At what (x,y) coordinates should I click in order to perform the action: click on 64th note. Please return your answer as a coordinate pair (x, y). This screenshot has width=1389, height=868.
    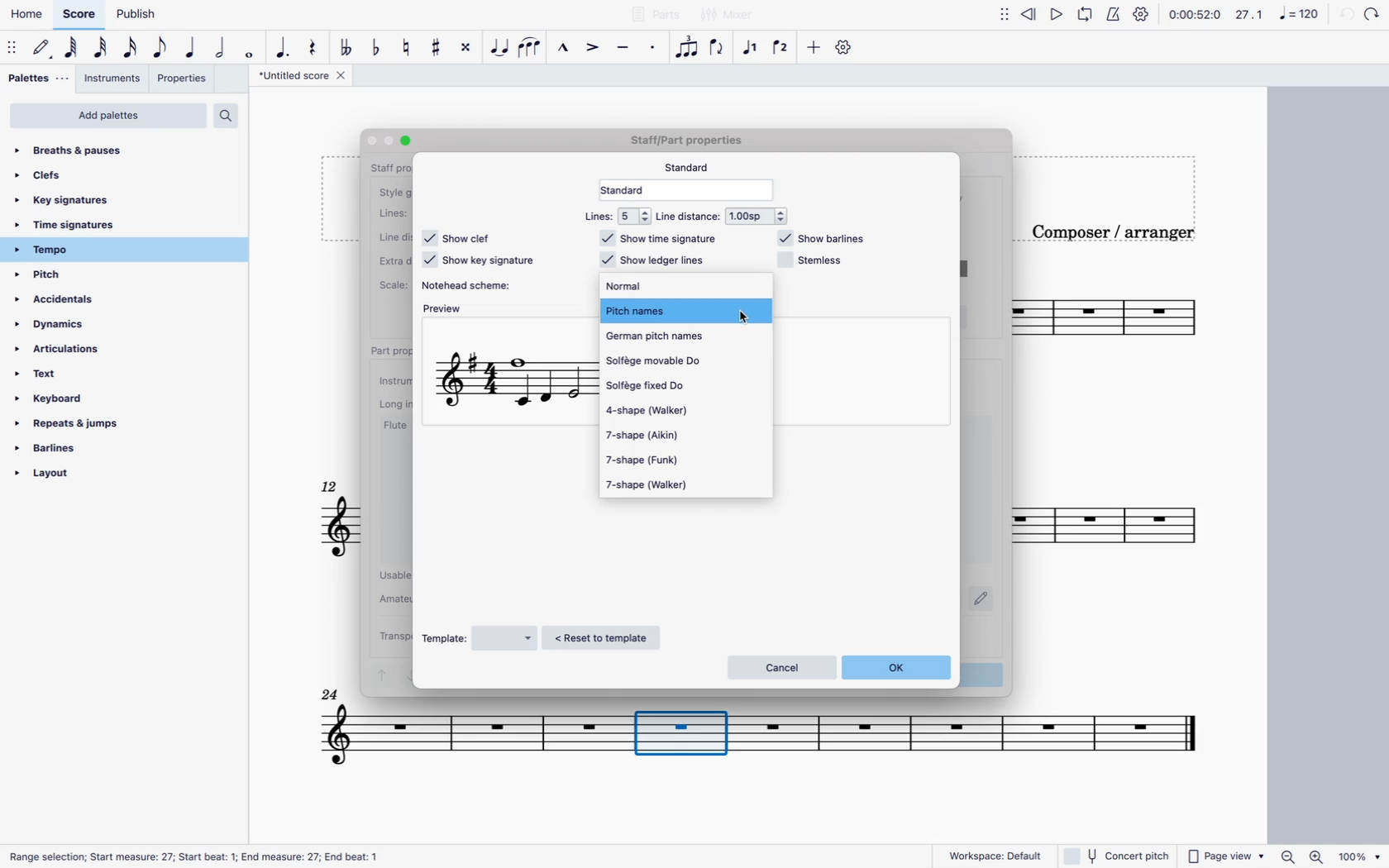
    Looking at the image, I should click on (73, 48).